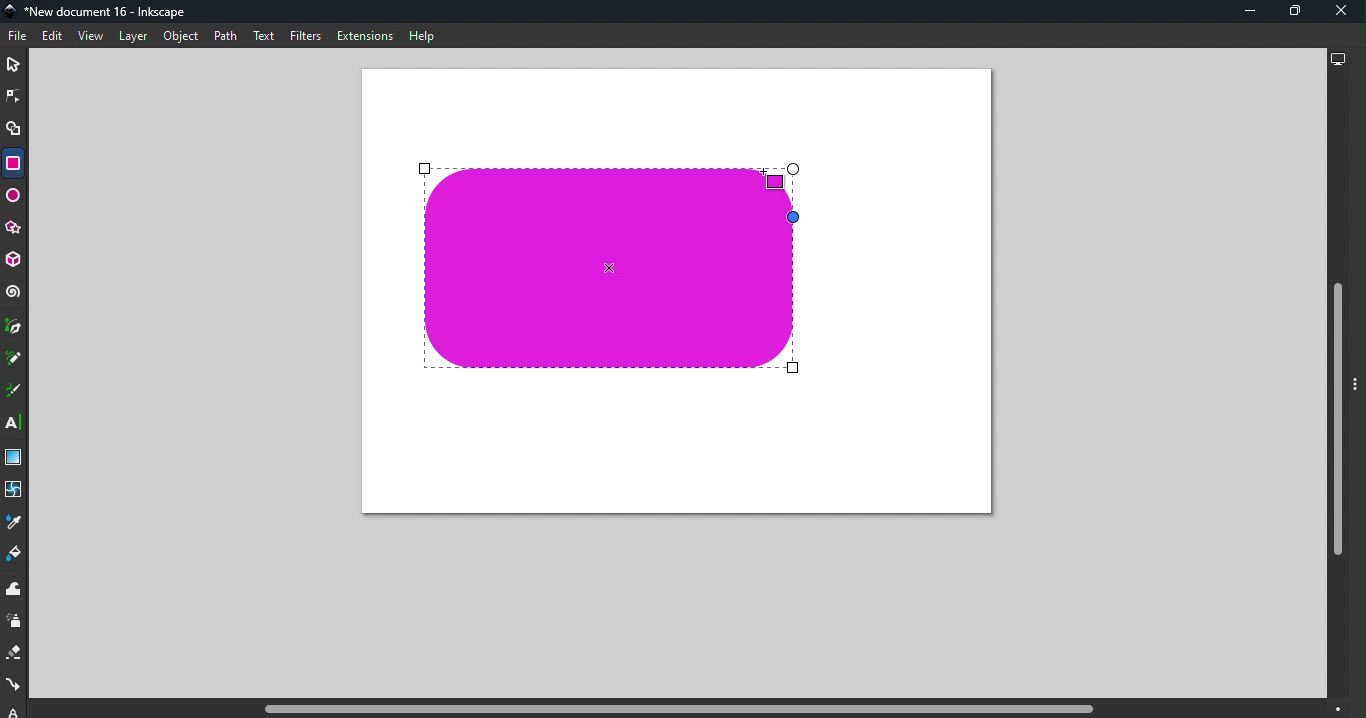 This screenshot has height=718, width=1366. What do you see at coordinates (17, 357) in the screenshot?
I see `Pencil tool` at bounding box center [17, 357].